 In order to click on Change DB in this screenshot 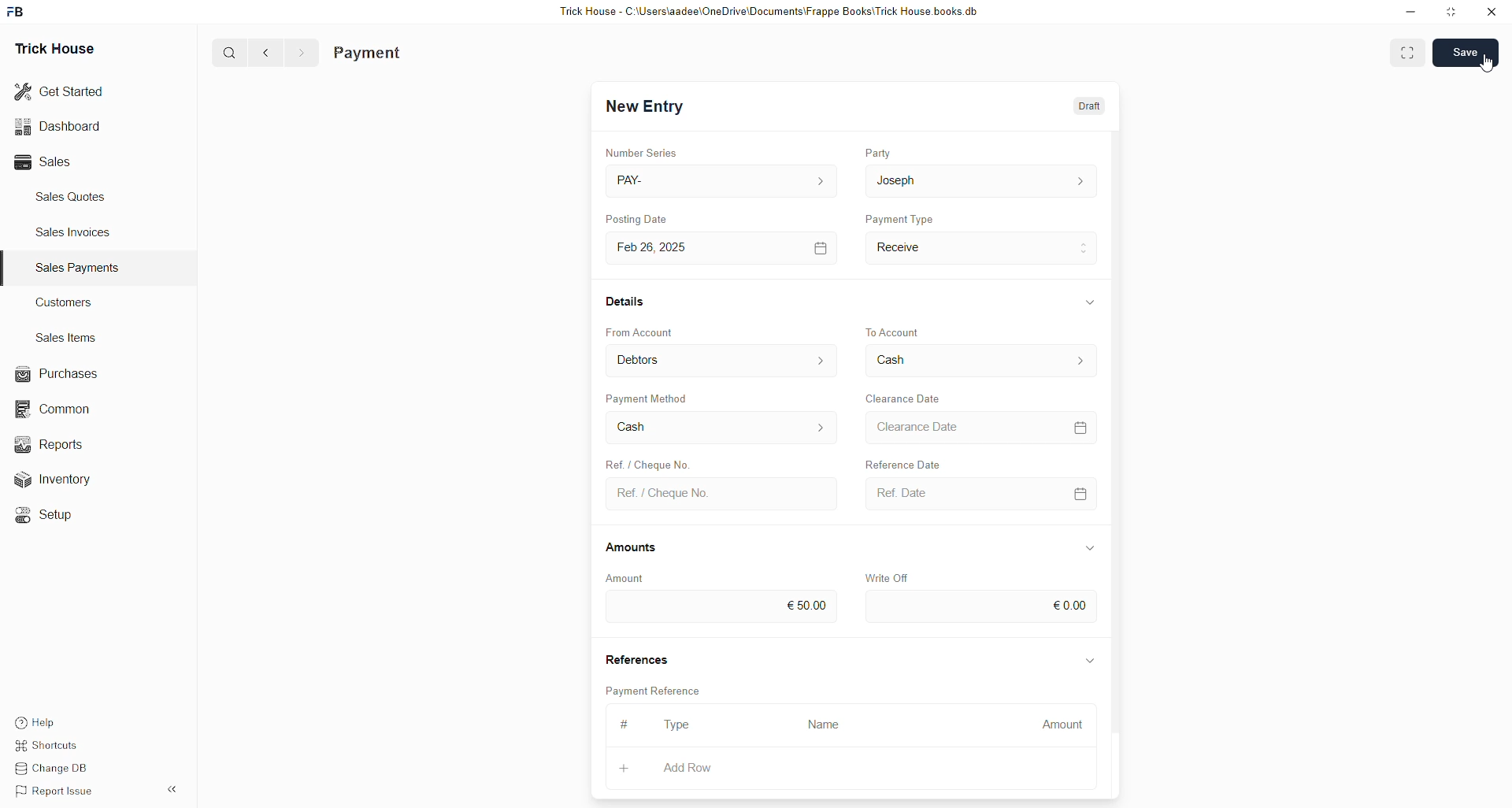, I will do `click(57, 767)`.